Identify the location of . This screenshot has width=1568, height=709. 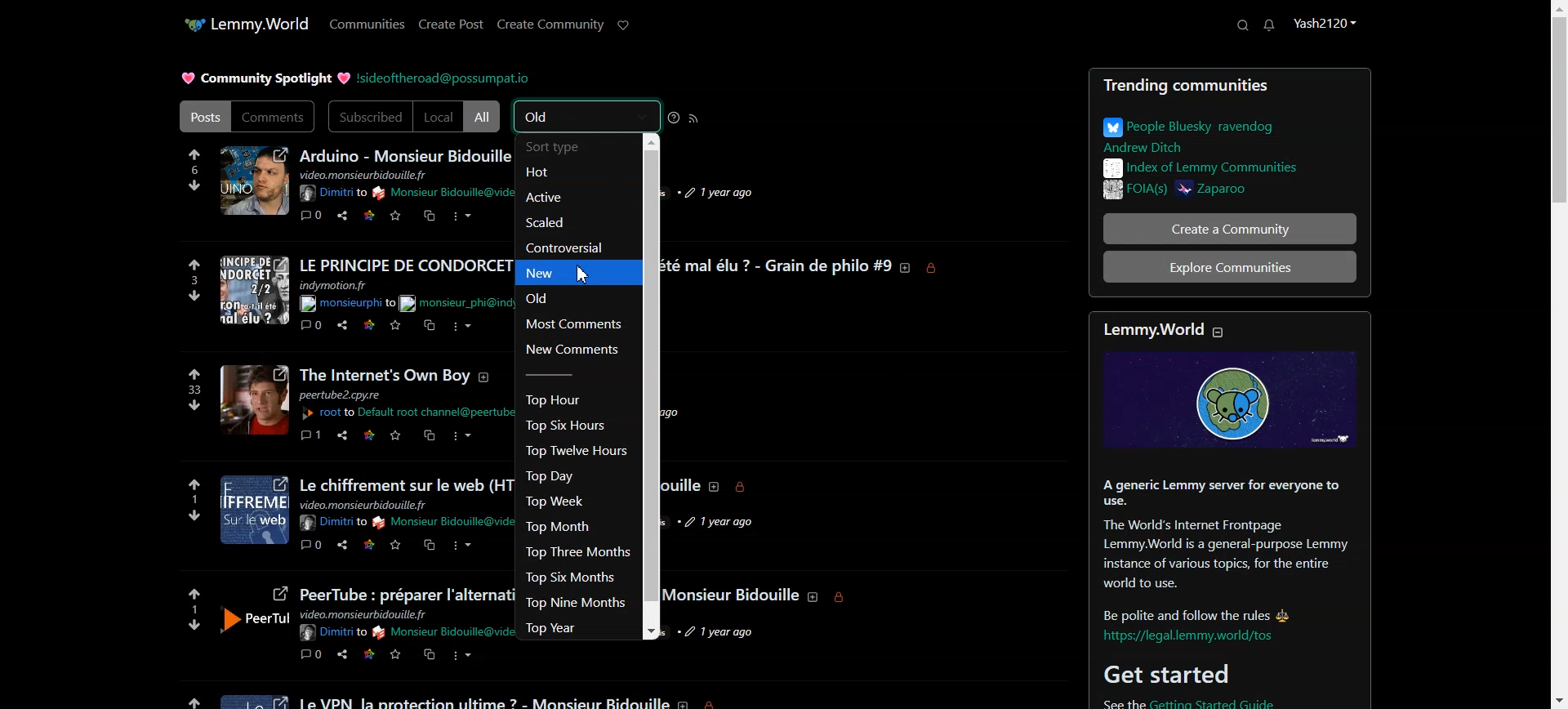
(342, 395).